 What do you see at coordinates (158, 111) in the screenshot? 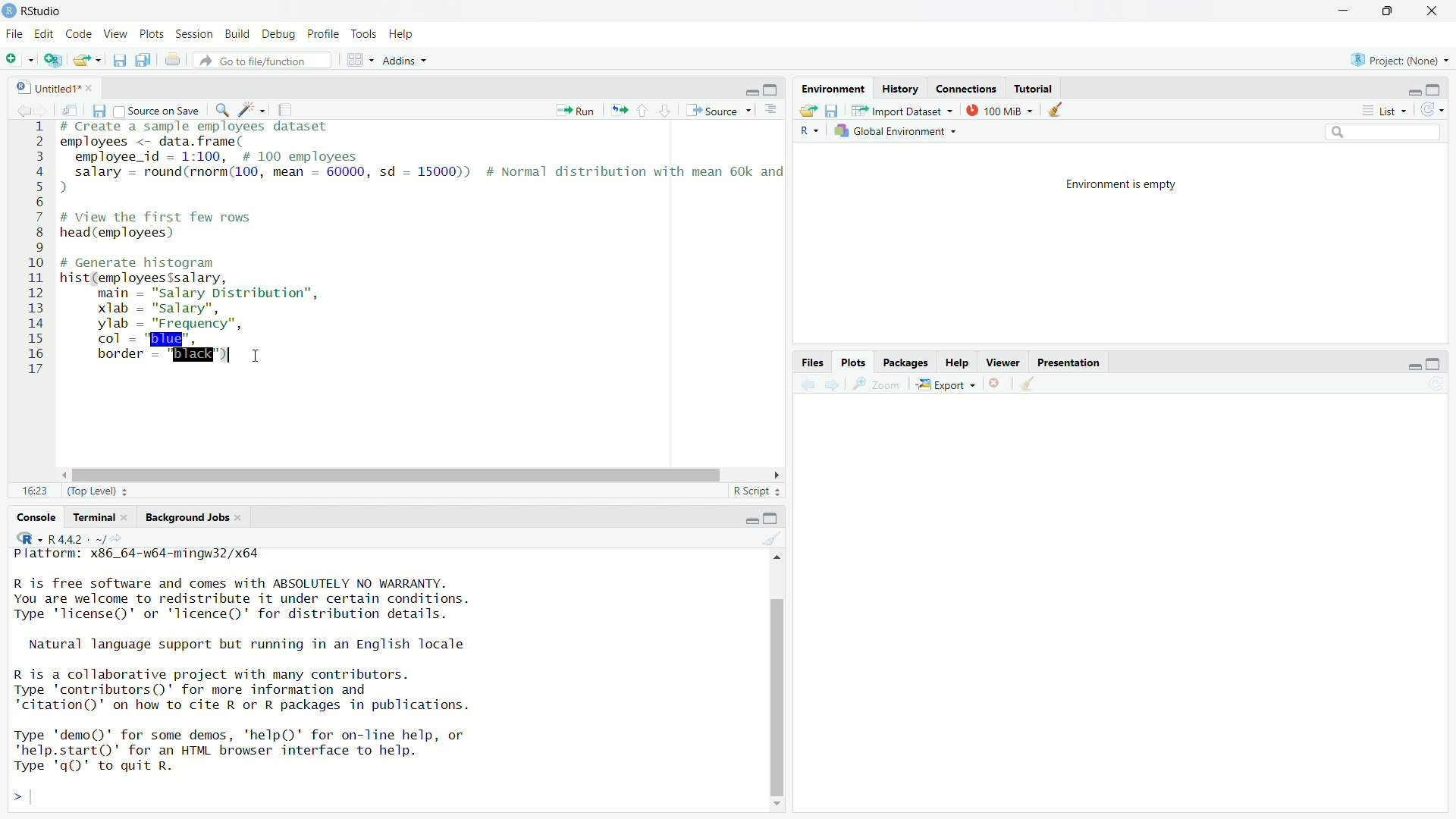
I see `Source on save` at bounding box center [158, 111].